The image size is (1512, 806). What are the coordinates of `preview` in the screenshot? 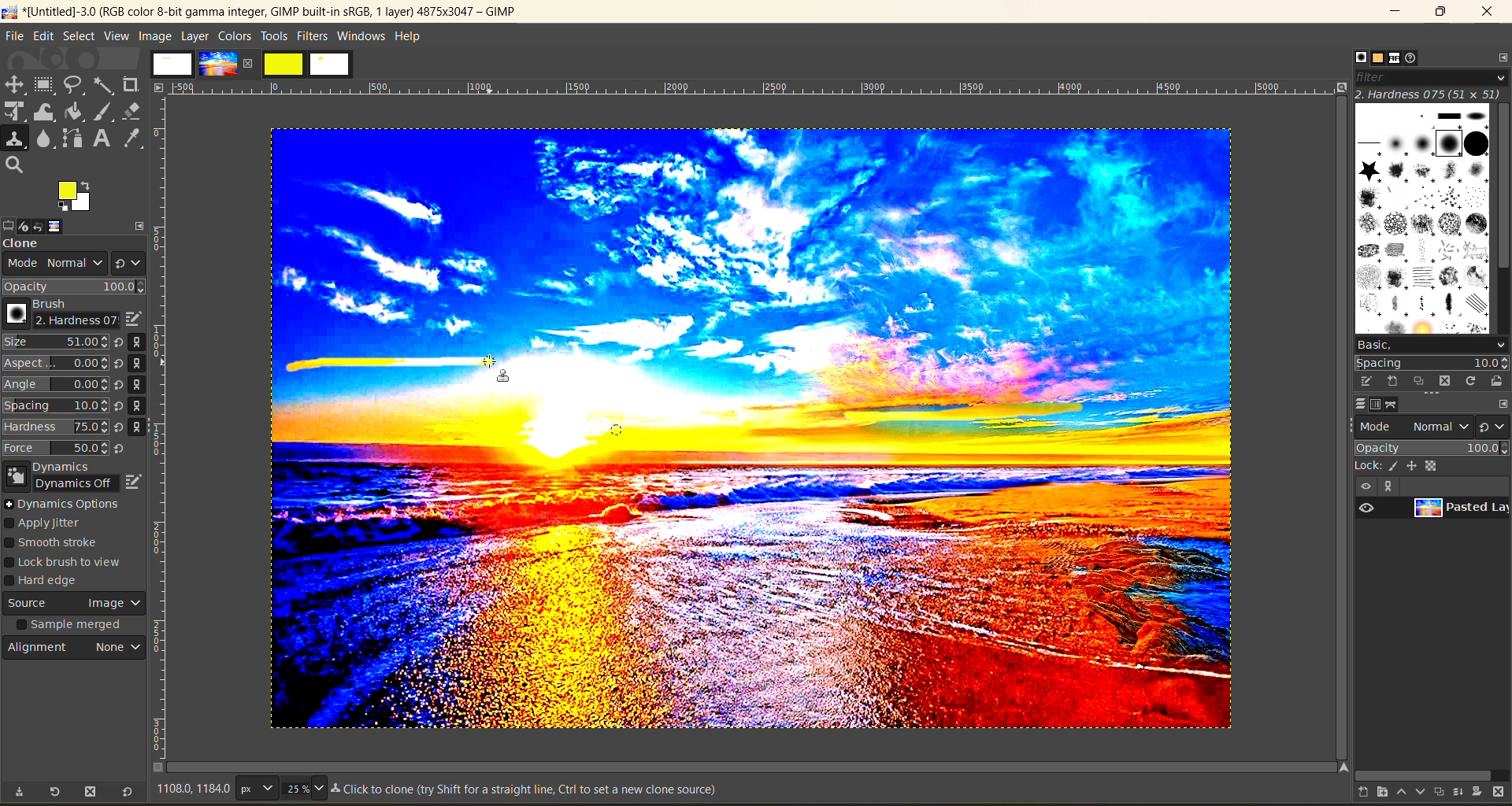 It's located at (1369, 508).